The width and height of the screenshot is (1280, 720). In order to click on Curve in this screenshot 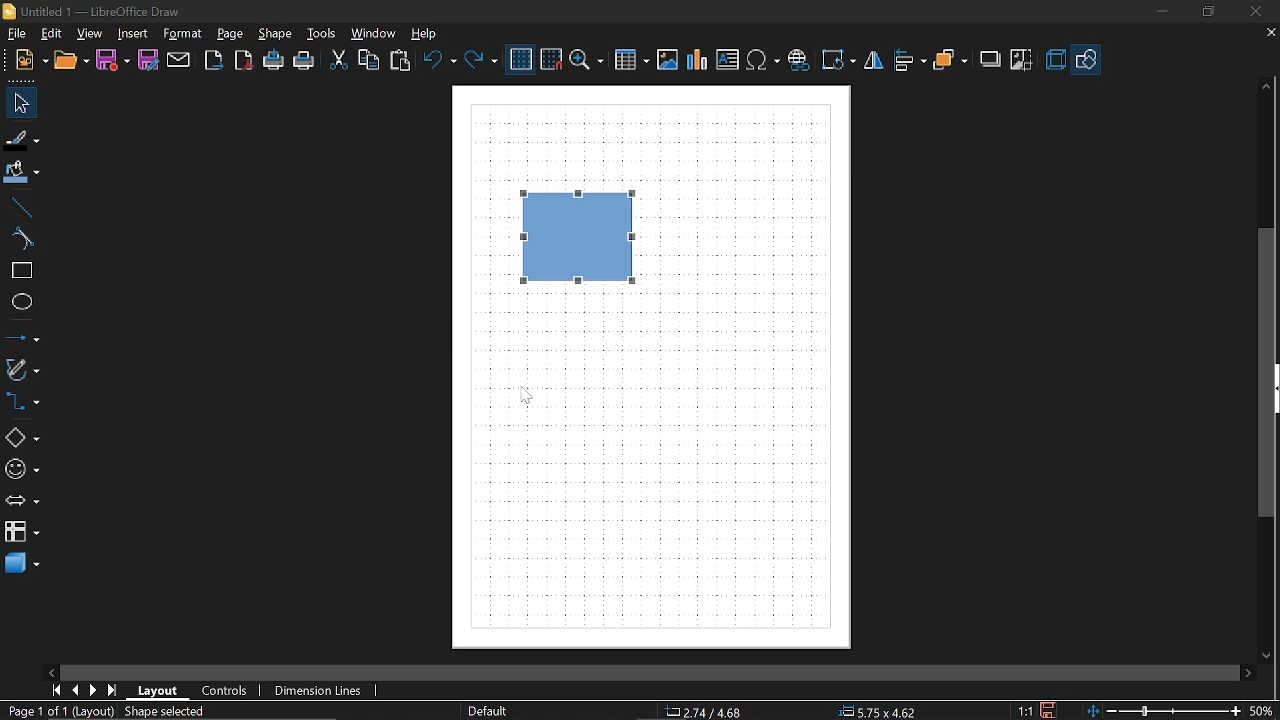, I will do `click(19, 240)`.